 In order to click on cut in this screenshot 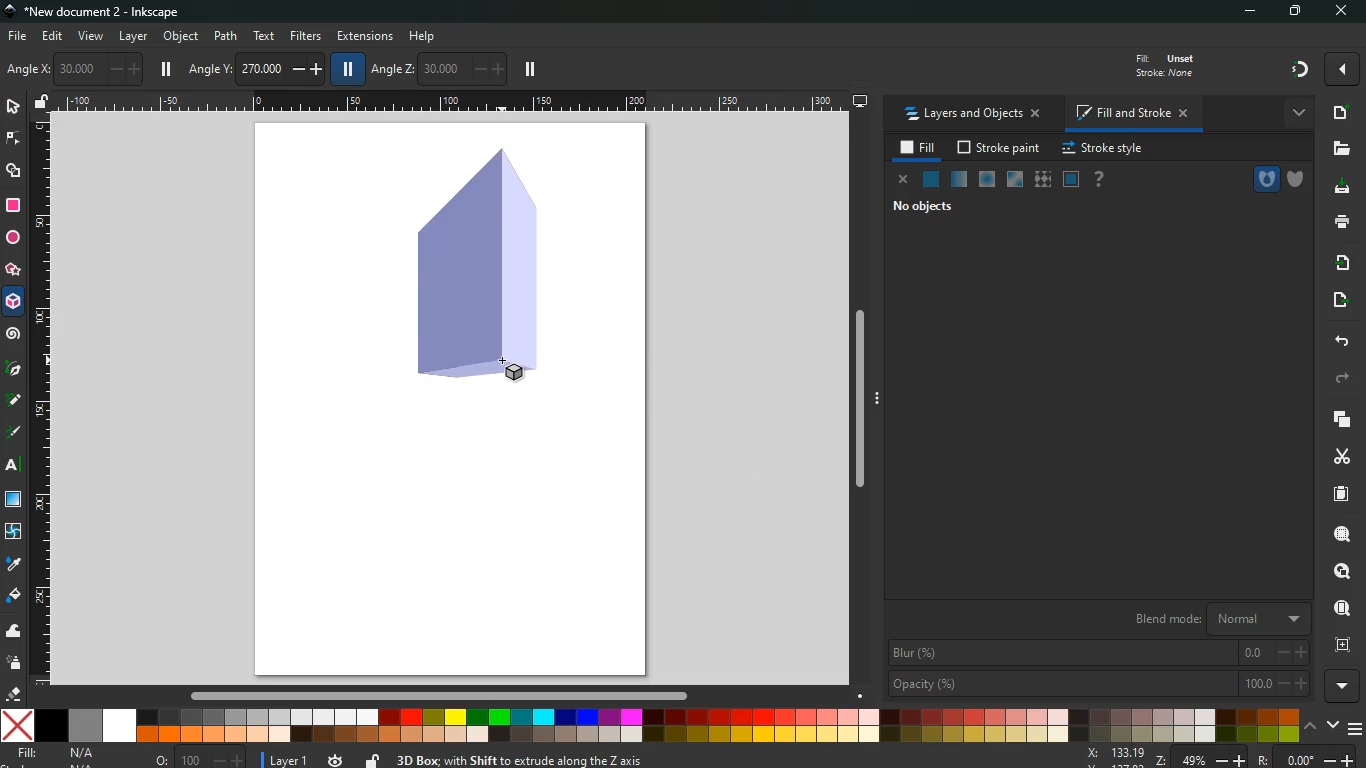, I will do `click(1342, 456)`.